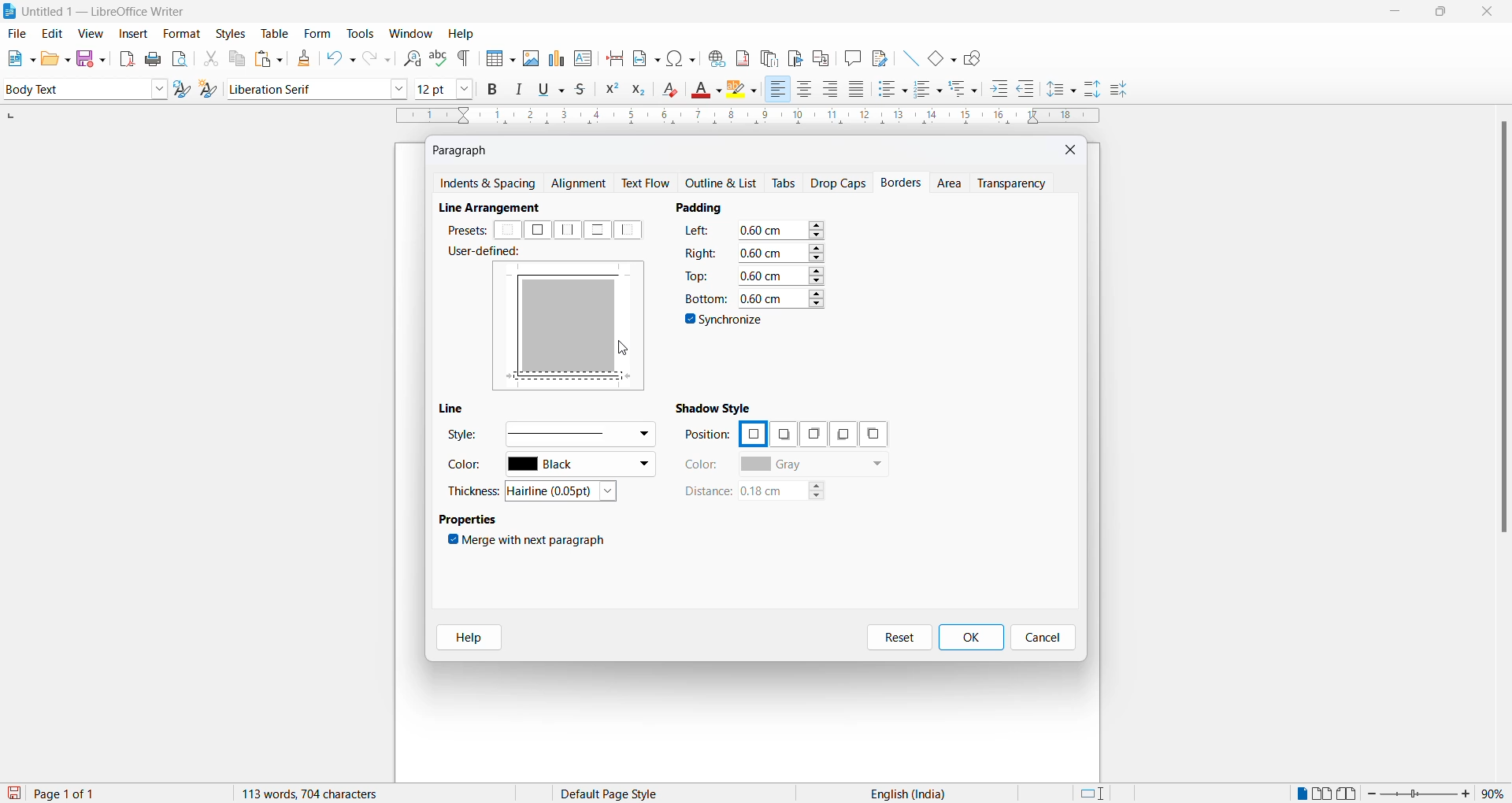  I want to click on properties options, so click(469, 521).